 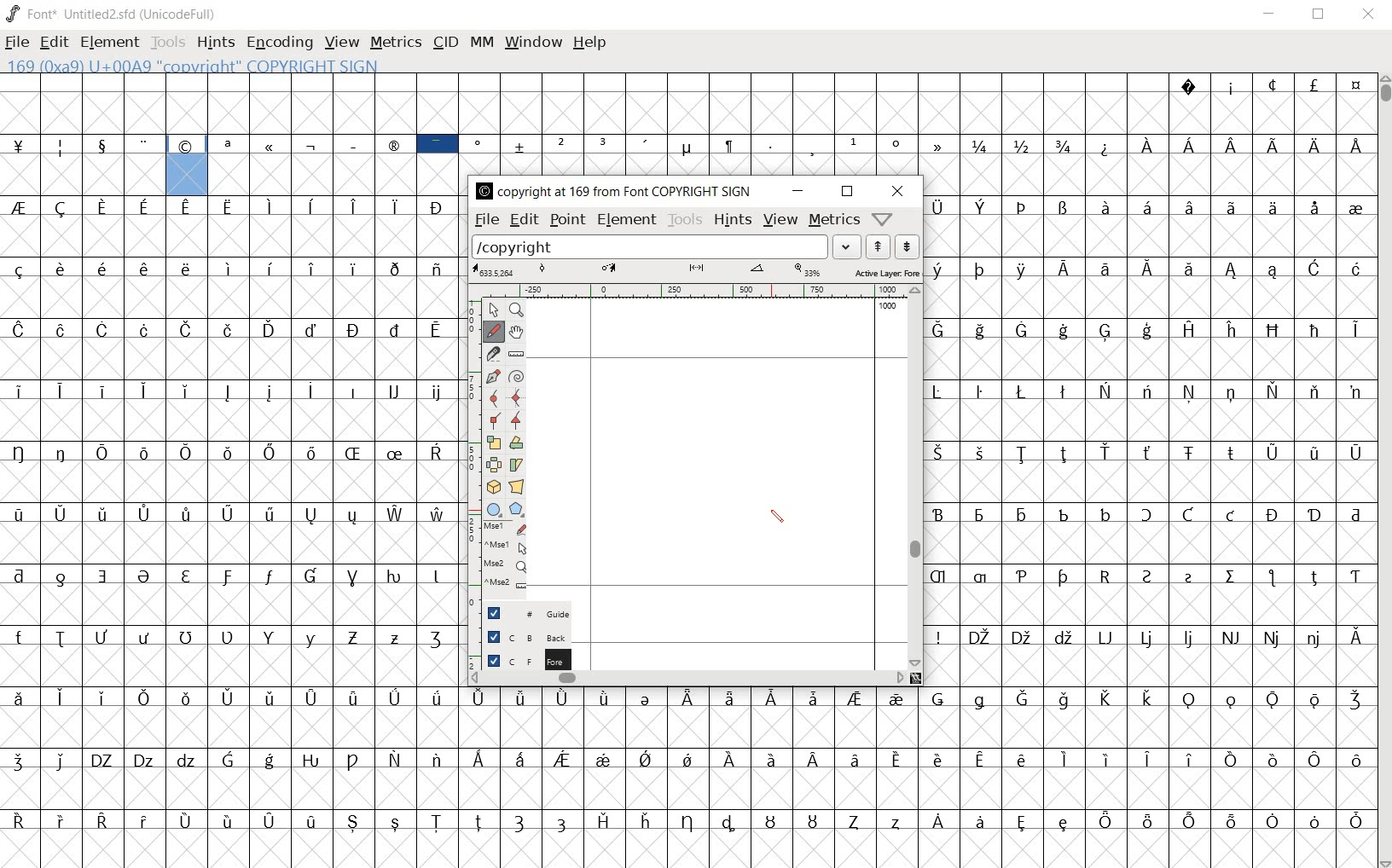 I want to click on active layer:FOREGROUND, so click(x=695, y=271).